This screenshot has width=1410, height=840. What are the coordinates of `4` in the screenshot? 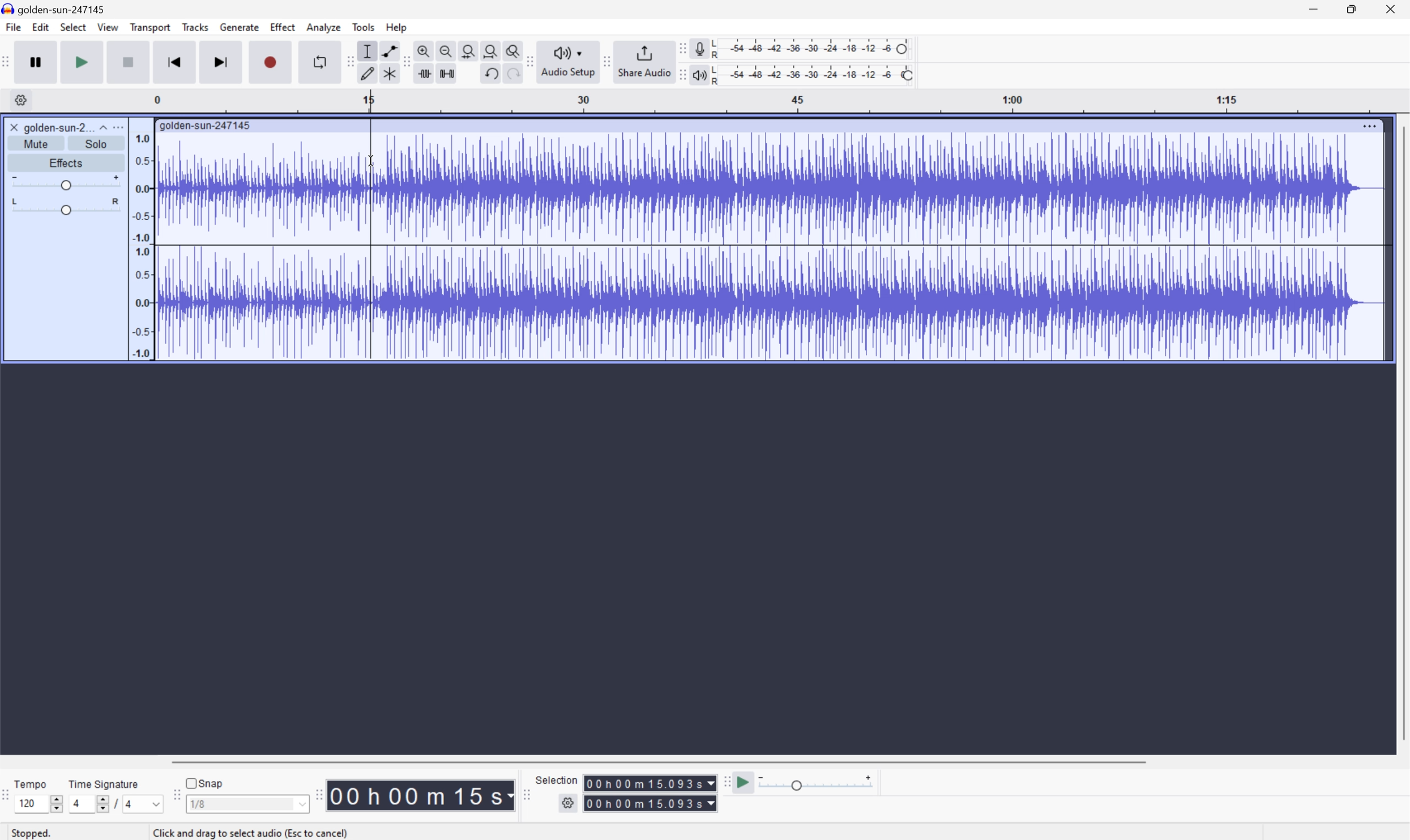 It's located at (75, 804).